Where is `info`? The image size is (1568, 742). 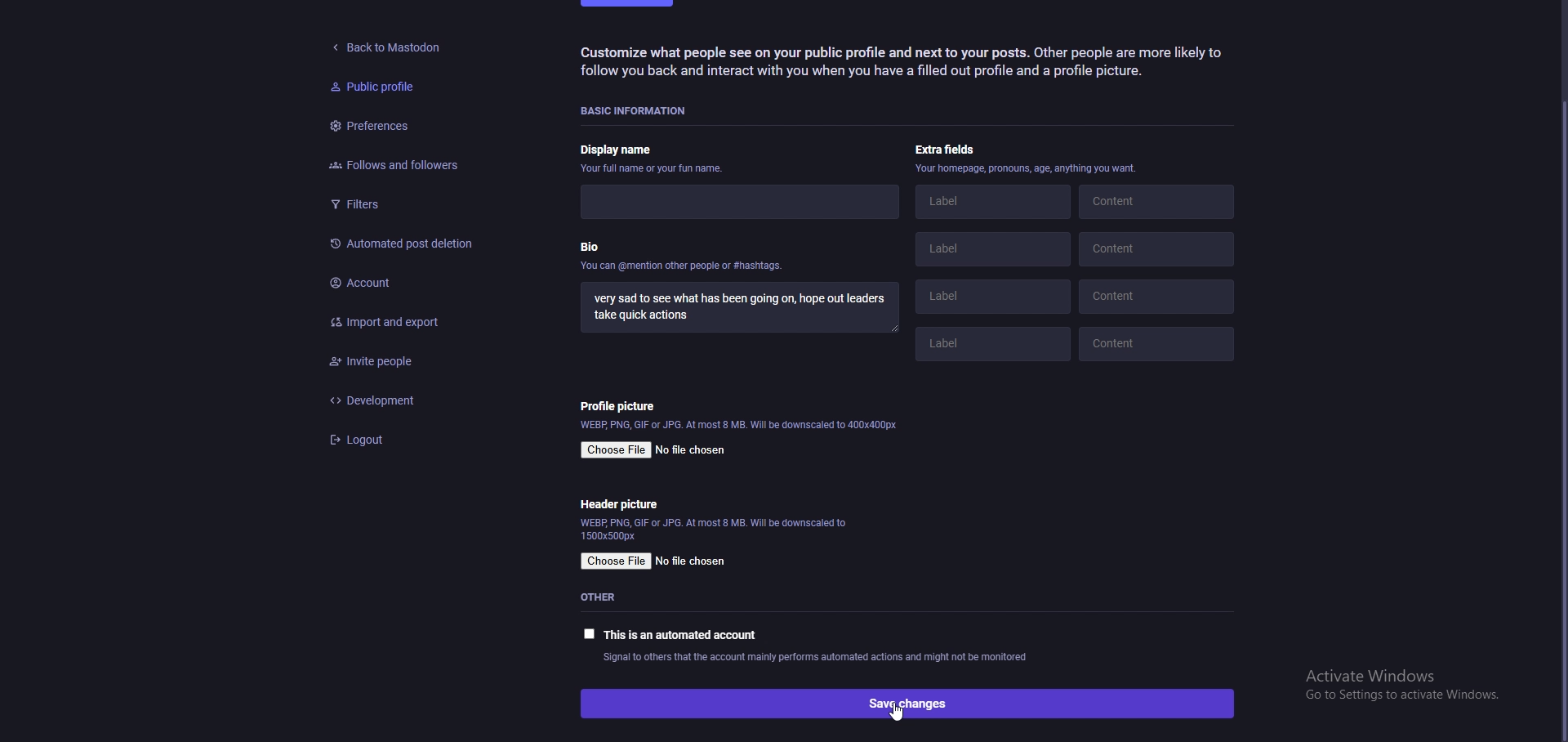
info is located at coordinates (713, 530).